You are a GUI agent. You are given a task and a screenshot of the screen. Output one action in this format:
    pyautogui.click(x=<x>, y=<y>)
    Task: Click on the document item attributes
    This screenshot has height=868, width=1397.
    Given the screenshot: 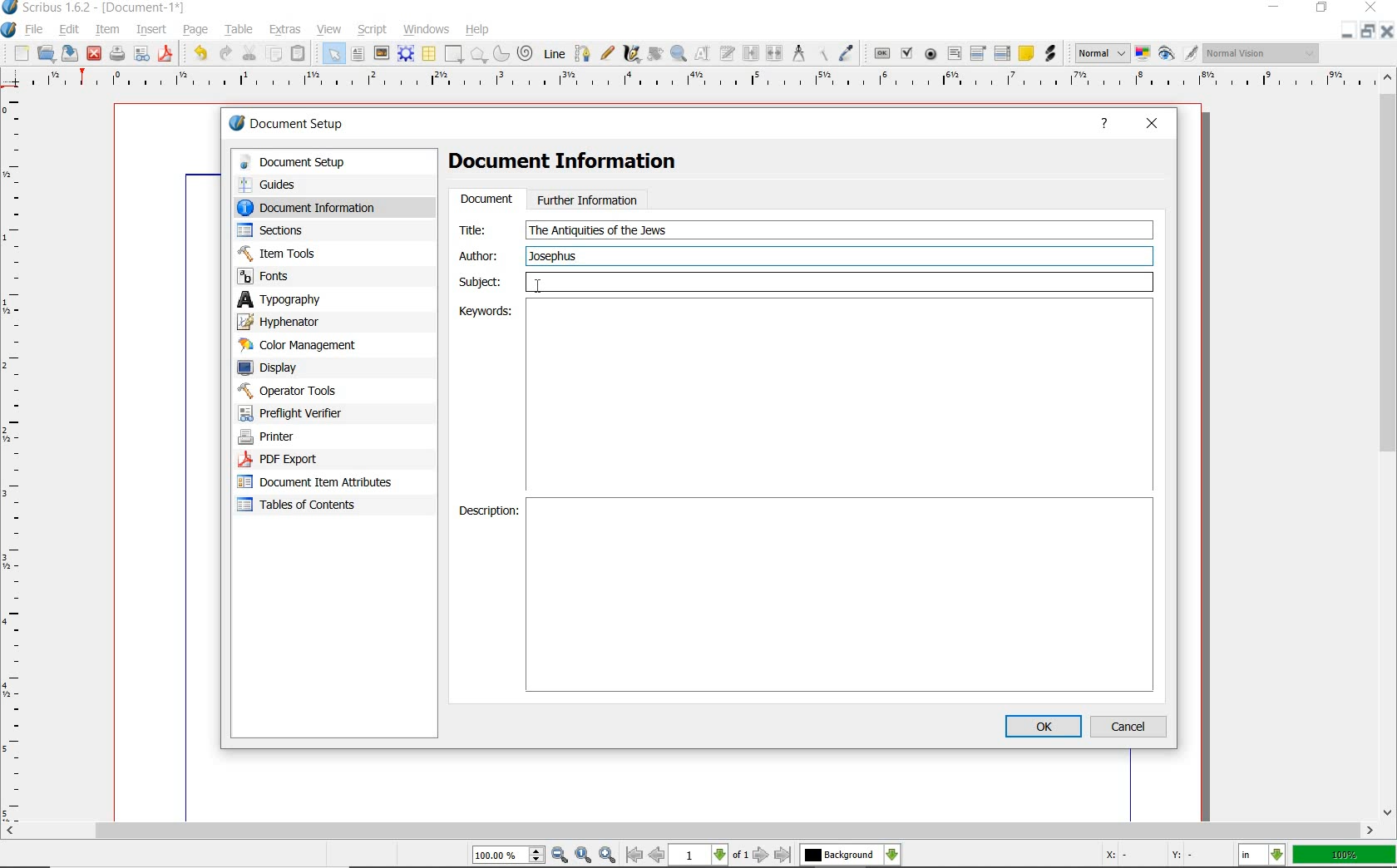 What is the action you would take?
    pyautogui.click(x=321, y=484)
    